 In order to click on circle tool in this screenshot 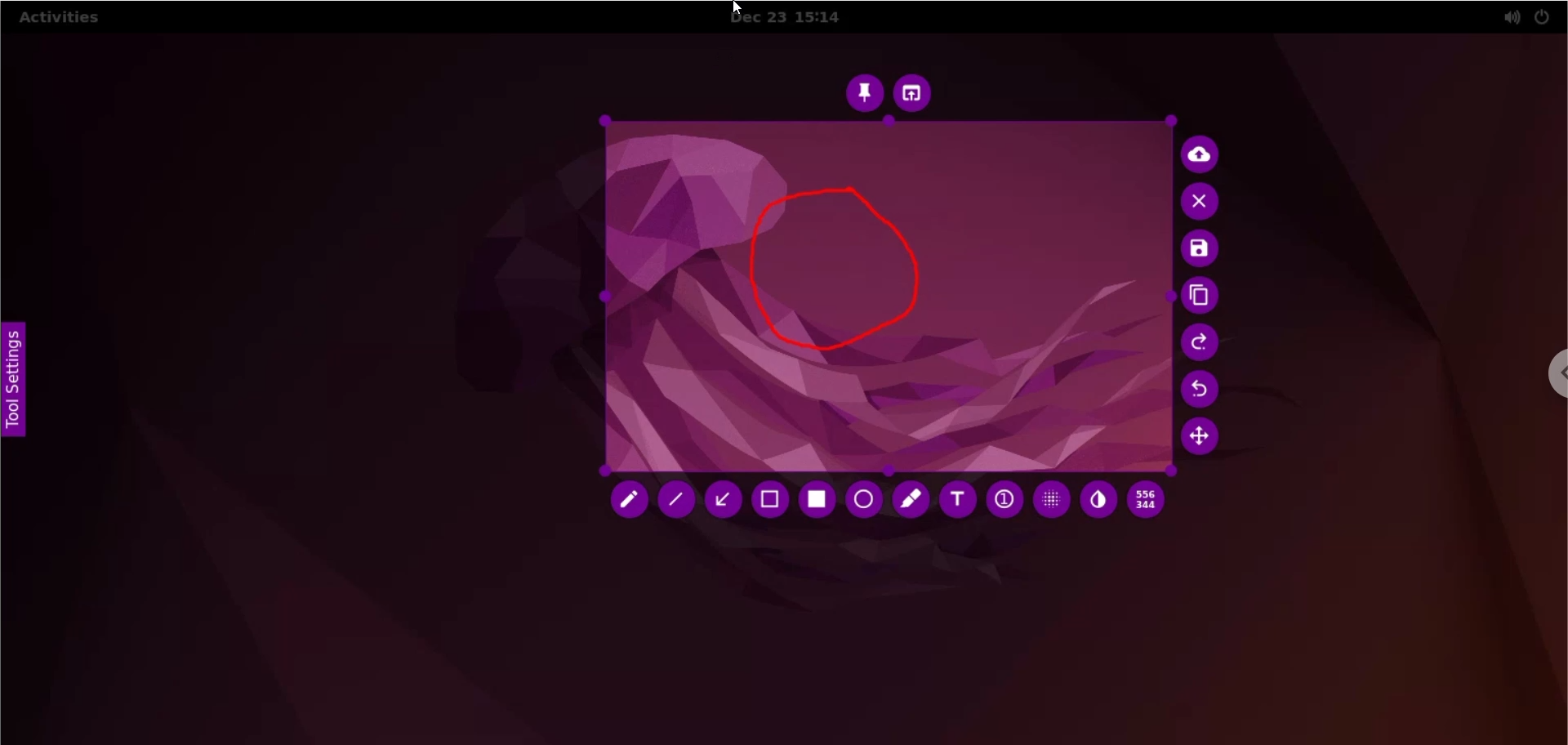, I will do `click(863, 499)`.